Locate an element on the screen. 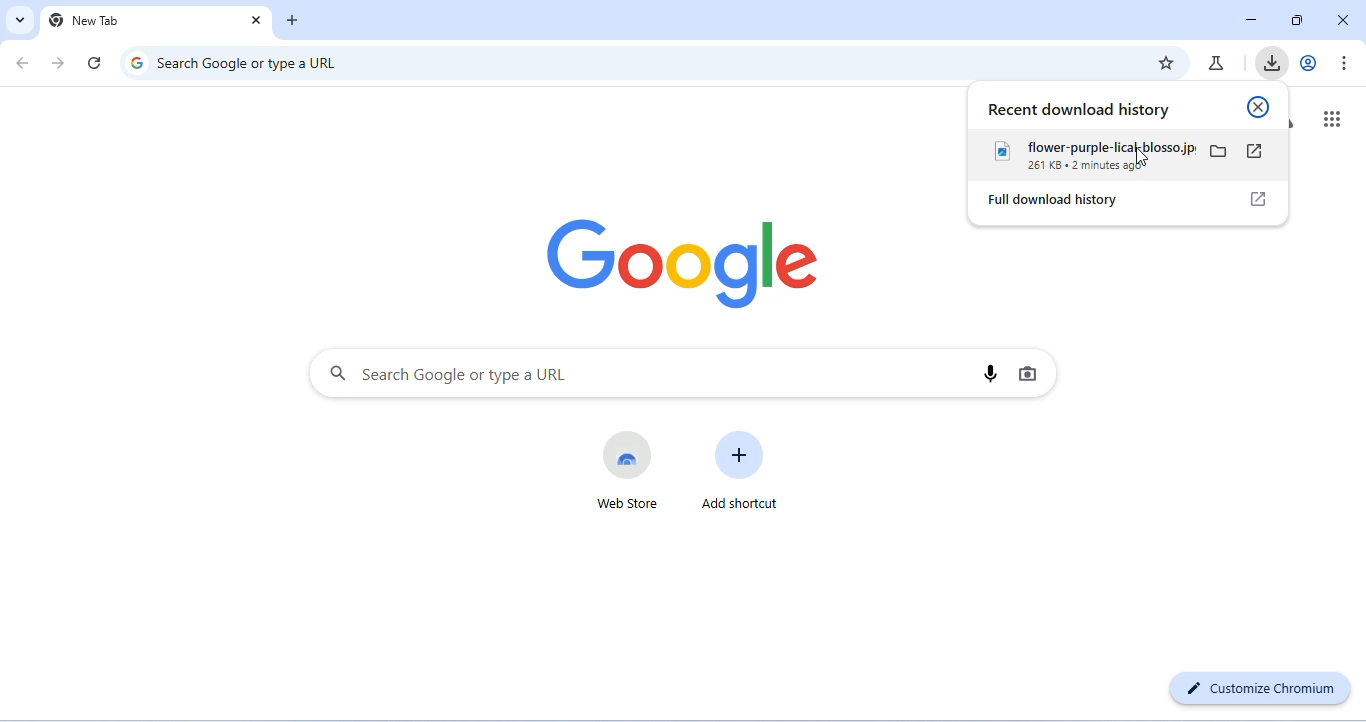  web store is located at coordinates (631, 473).